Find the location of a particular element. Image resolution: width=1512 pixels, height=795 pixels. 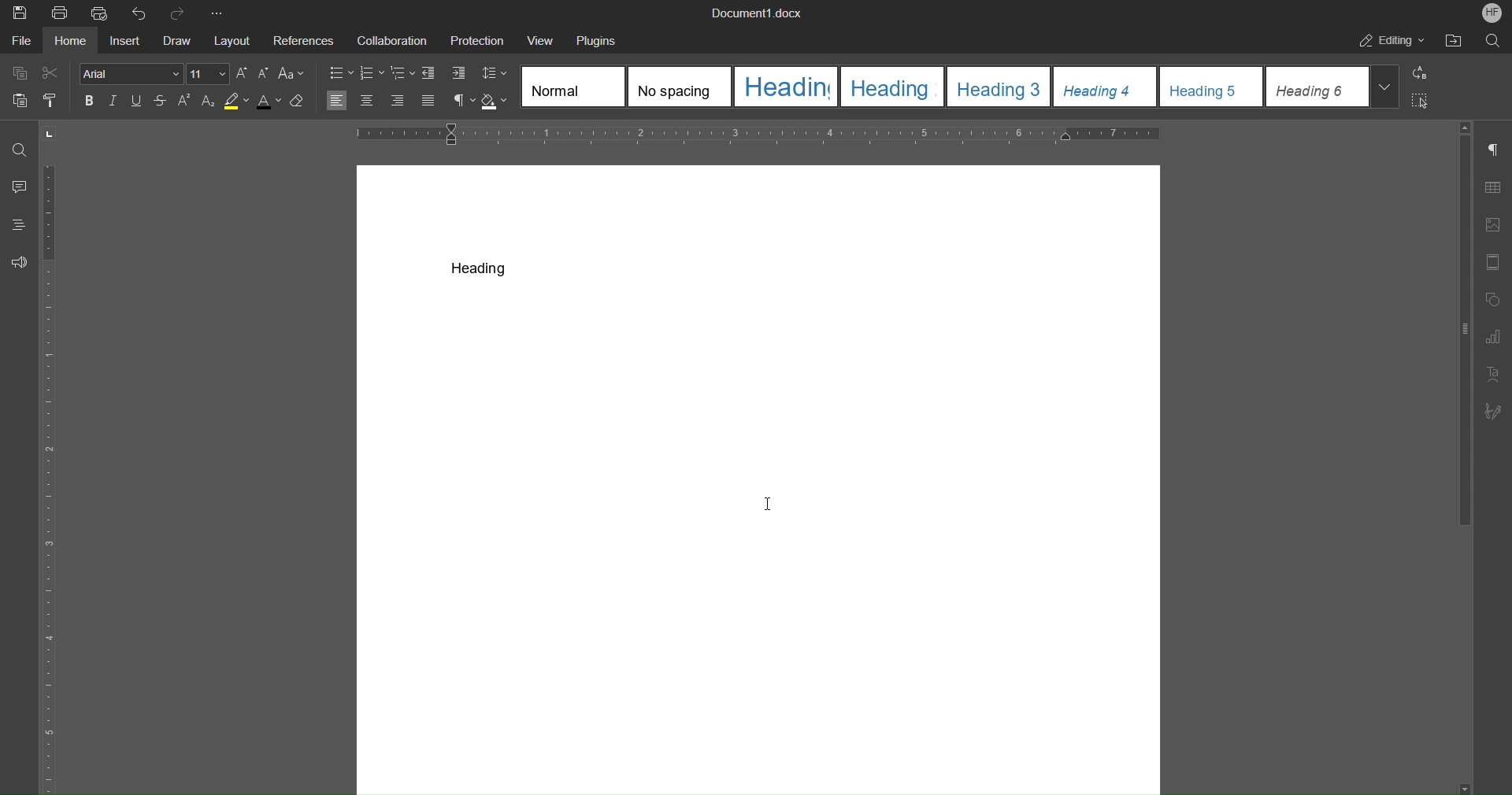

Text Case Settings is located at coordinates (293, 73).